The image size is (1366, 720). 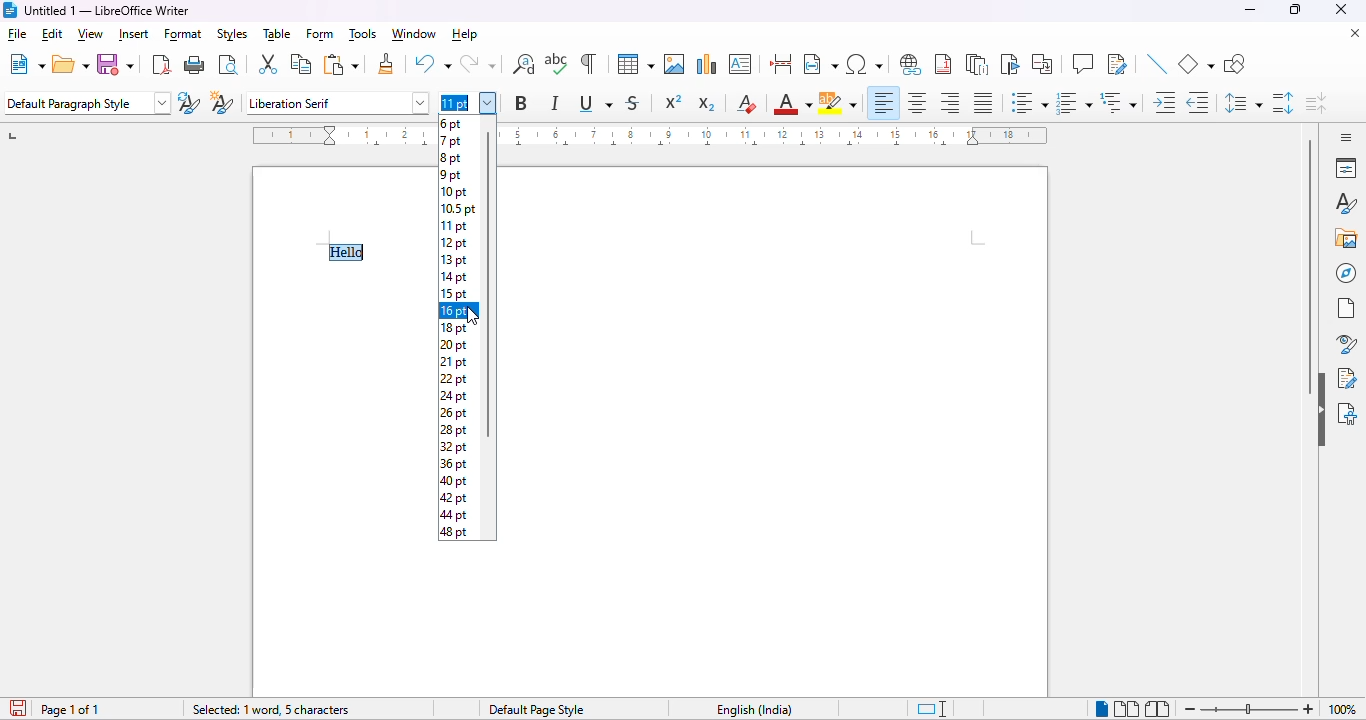 I want to click on 40 pt, so click(x=456, y=481).